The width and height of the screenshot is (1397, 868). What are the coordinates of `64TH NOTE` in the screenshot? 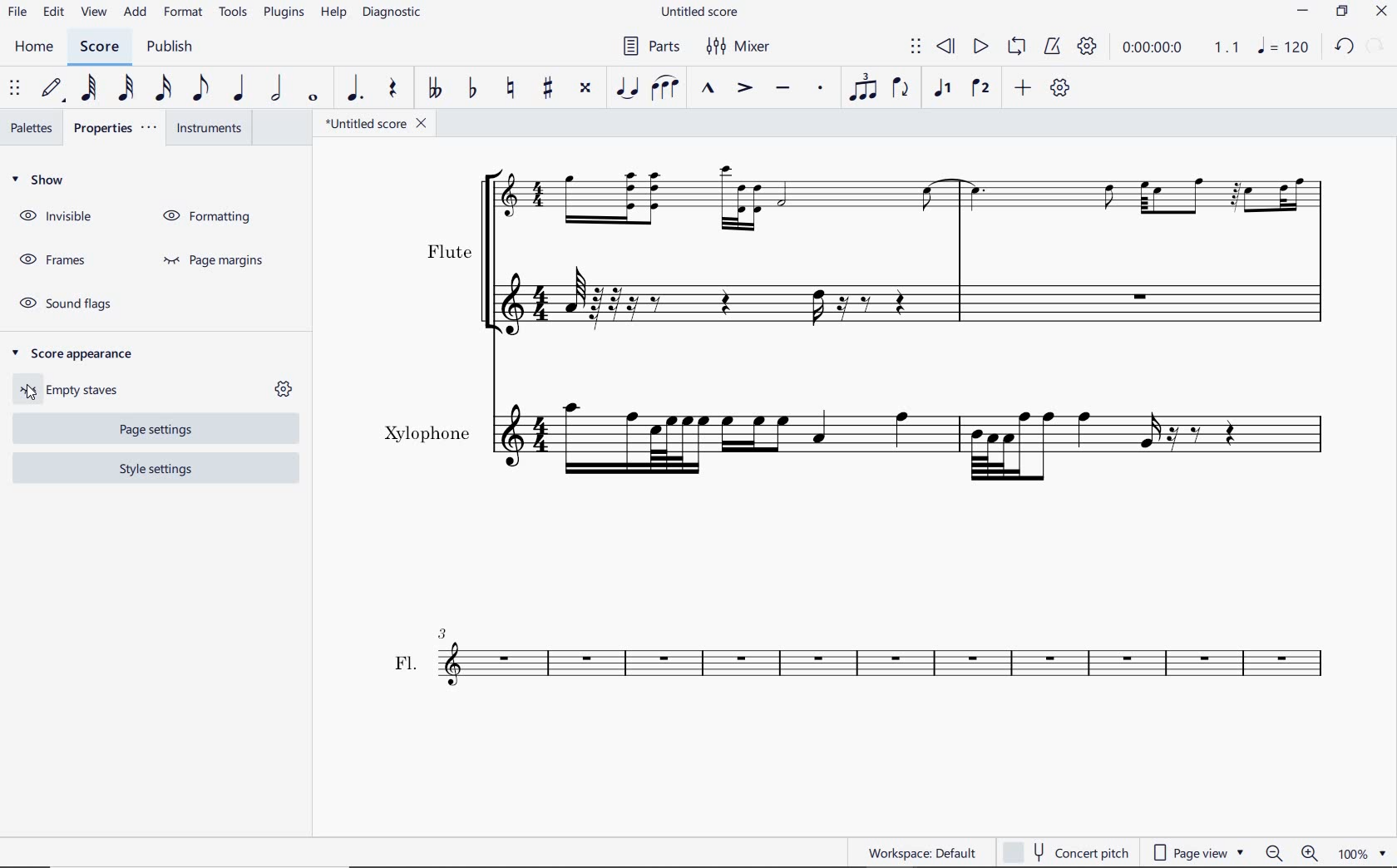 It's located at (90, 89).